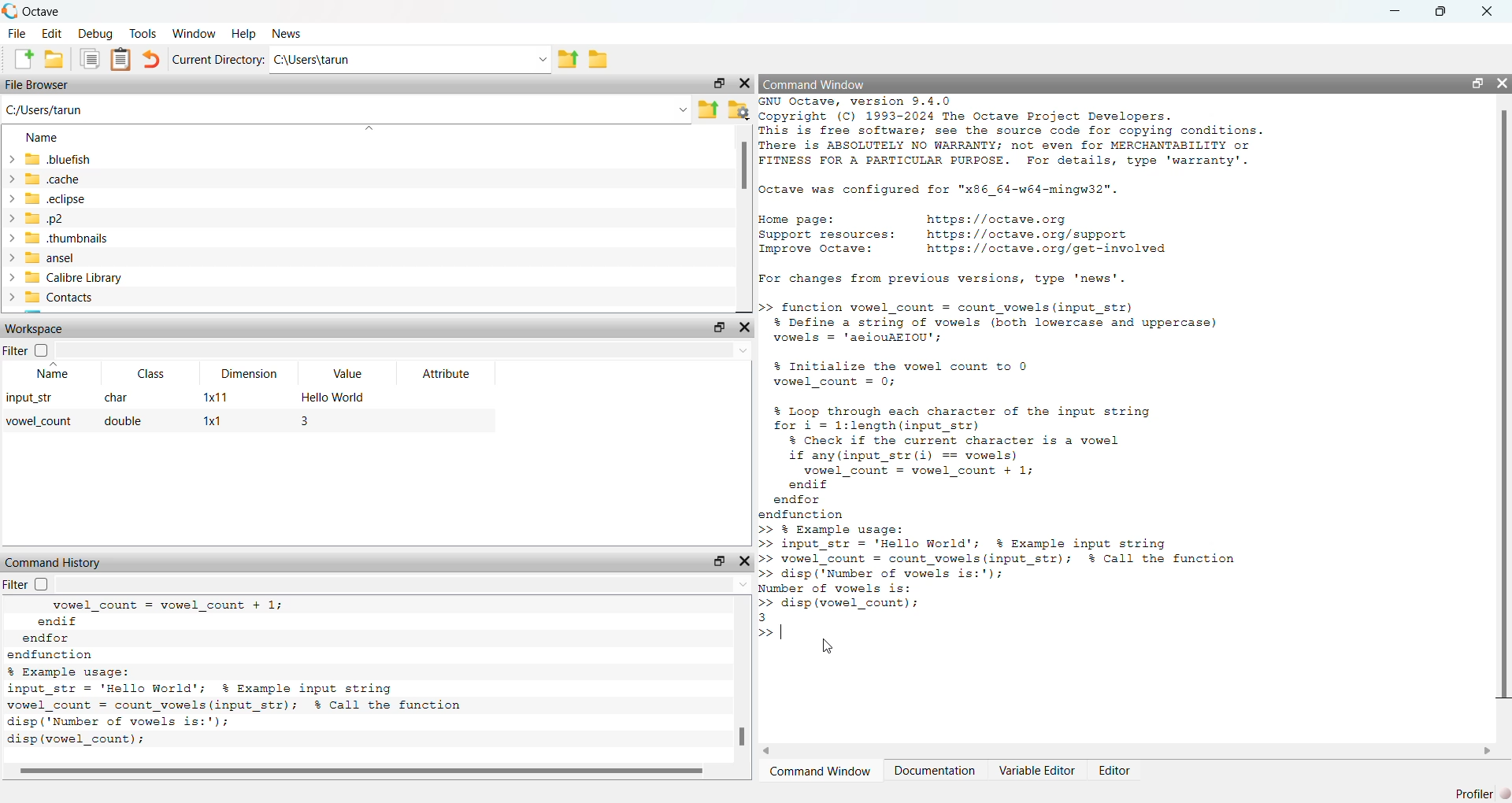 This screenshot has width=1512, height=803. What do you see at coordinates (567, 57) in the screenshot?
I see `One directory up` at bounding box center [567, 57].